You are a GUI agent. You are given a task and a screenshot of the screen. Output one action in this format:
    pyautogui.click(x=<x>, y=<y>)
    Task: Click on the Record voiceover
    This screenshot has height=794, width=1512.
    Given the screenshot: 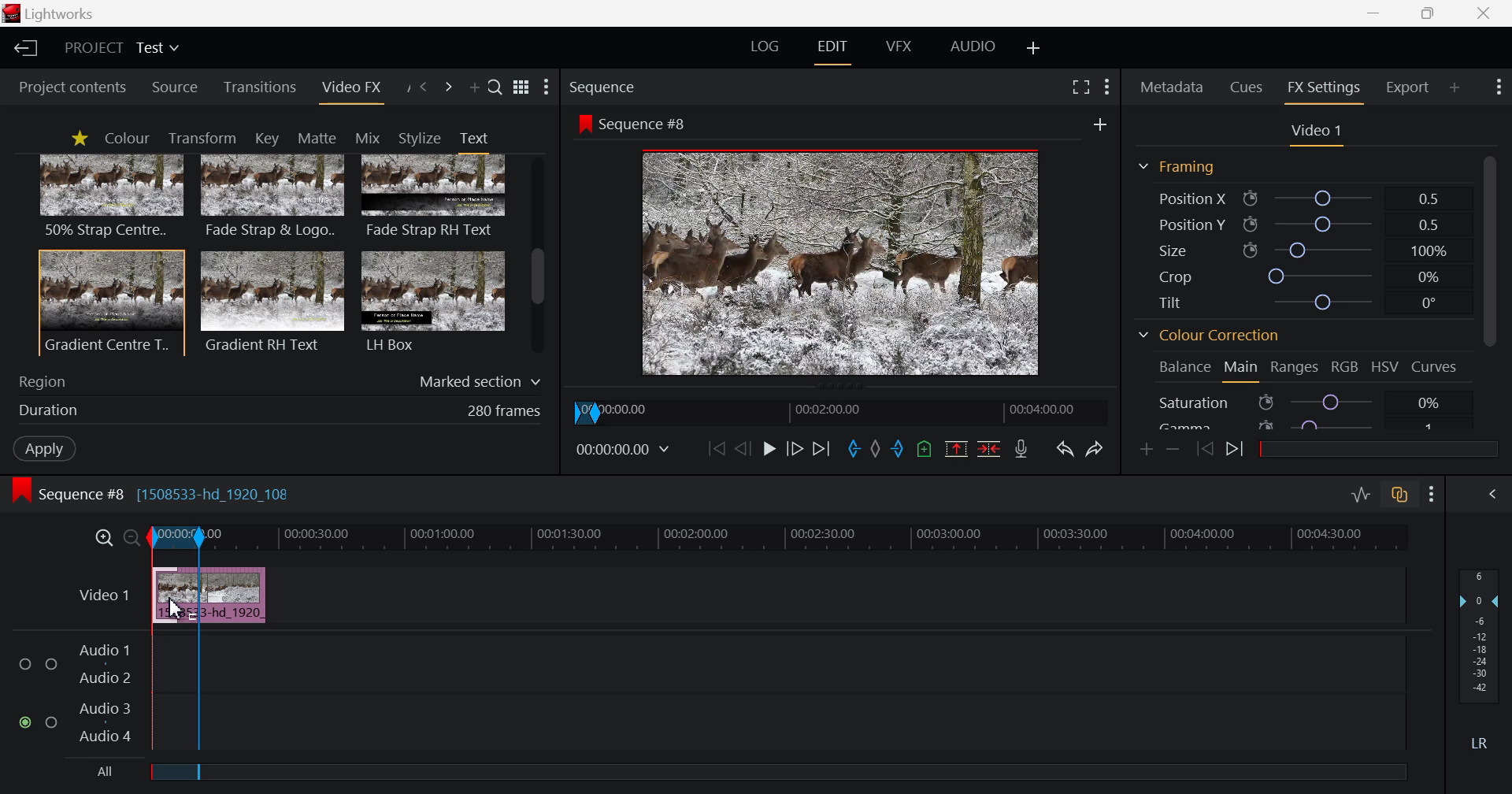 What is the action you would take?
    pyautogui.click(x=1021, y=451)
    